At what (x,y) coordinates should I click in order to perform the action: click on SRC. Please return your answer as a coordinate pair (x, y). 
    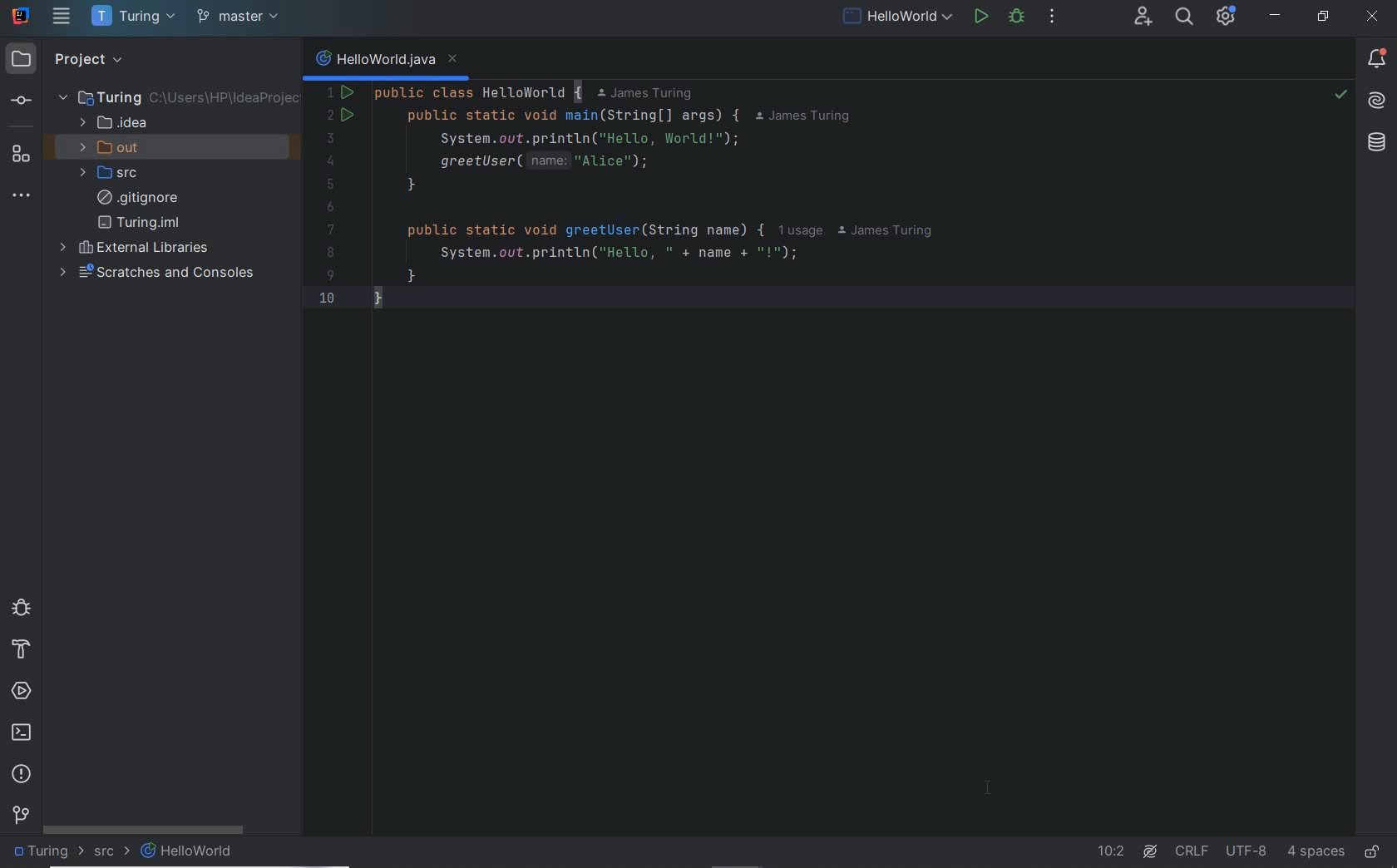
    Looking at the image, I should click on (112, 852).